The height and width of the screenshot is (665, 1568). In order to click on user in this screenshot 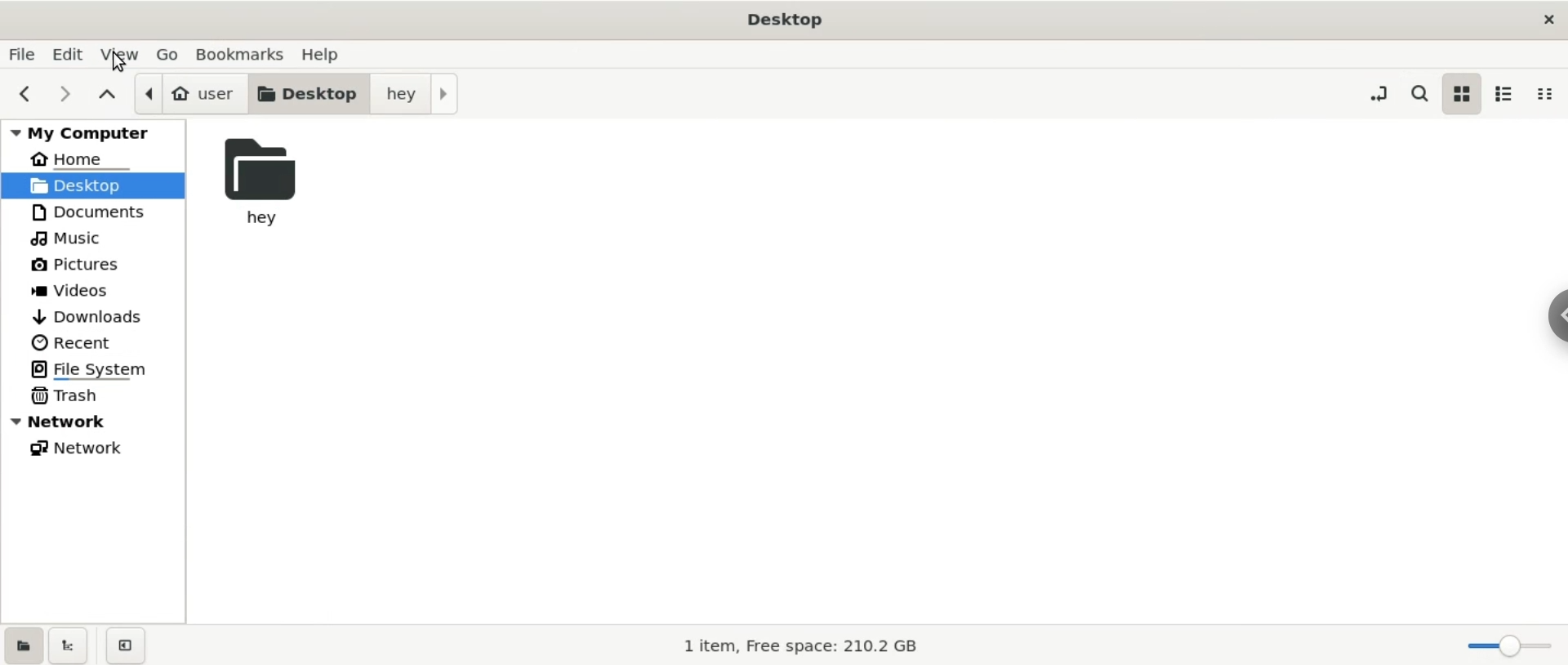, I will do `click(194, 92)`.